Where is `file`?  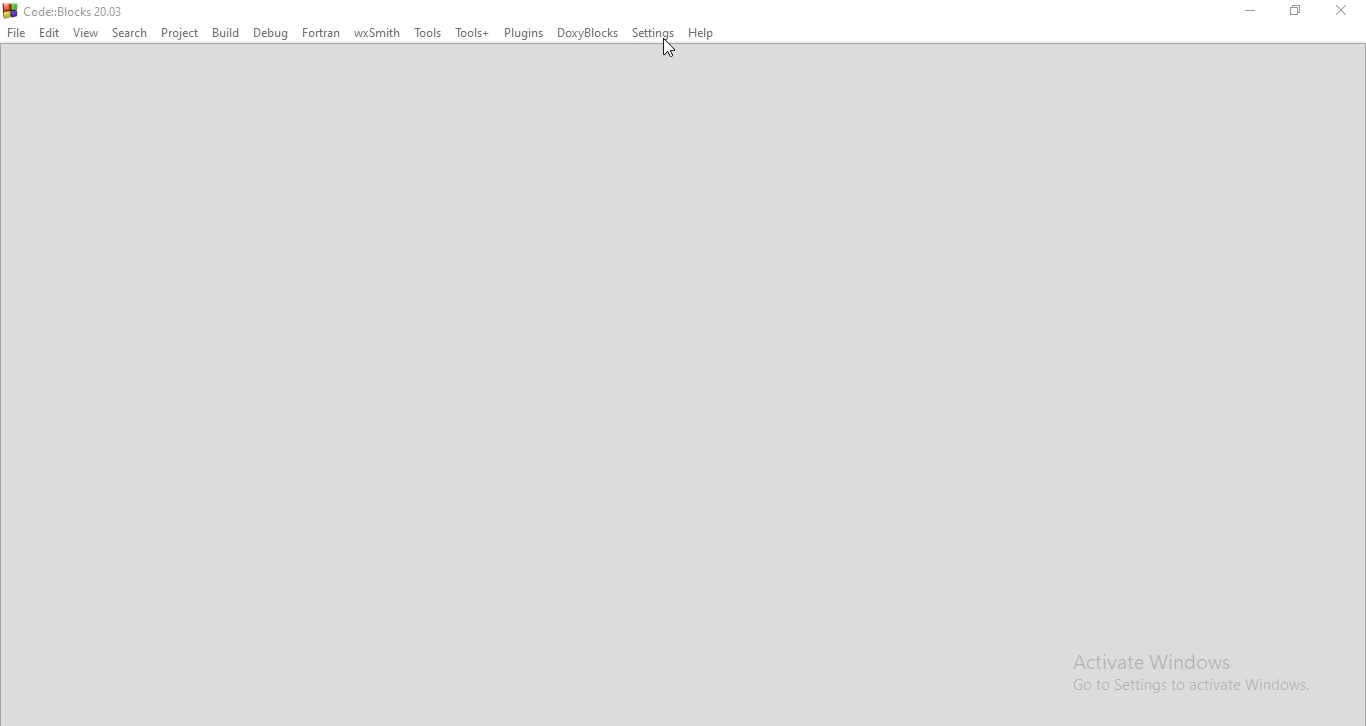
file is located at coordinates (15, 31).